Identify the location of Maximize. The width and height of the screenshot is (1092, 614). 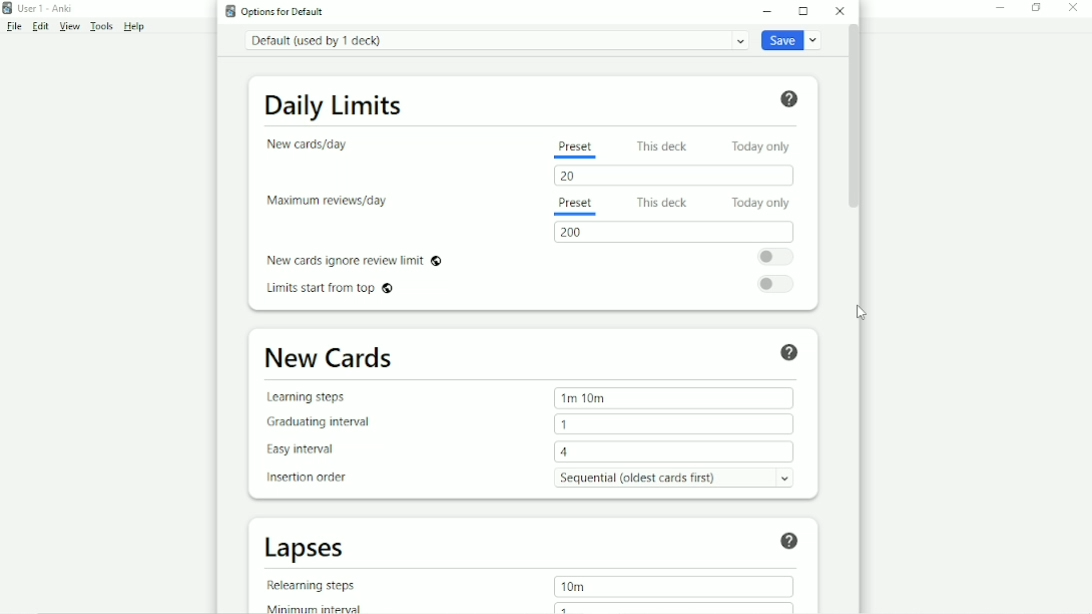
(806, 11).